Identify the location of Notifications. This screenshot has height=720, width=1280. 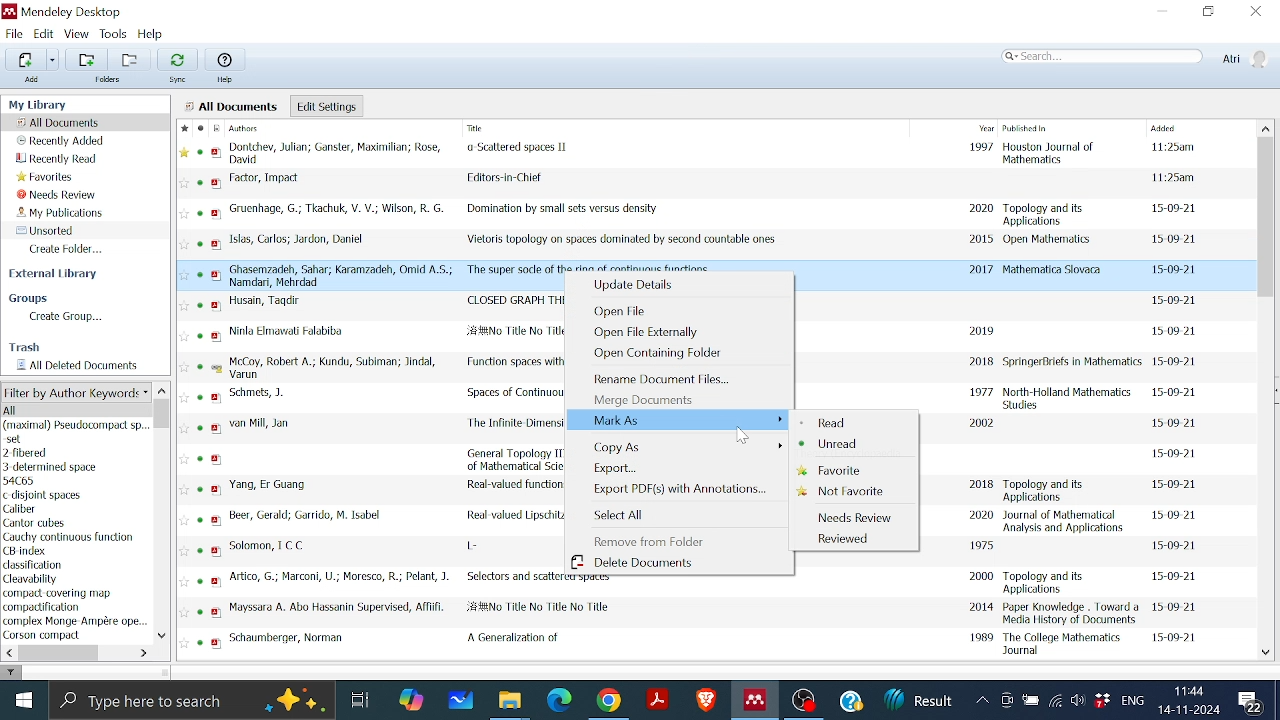
(1257, 701).